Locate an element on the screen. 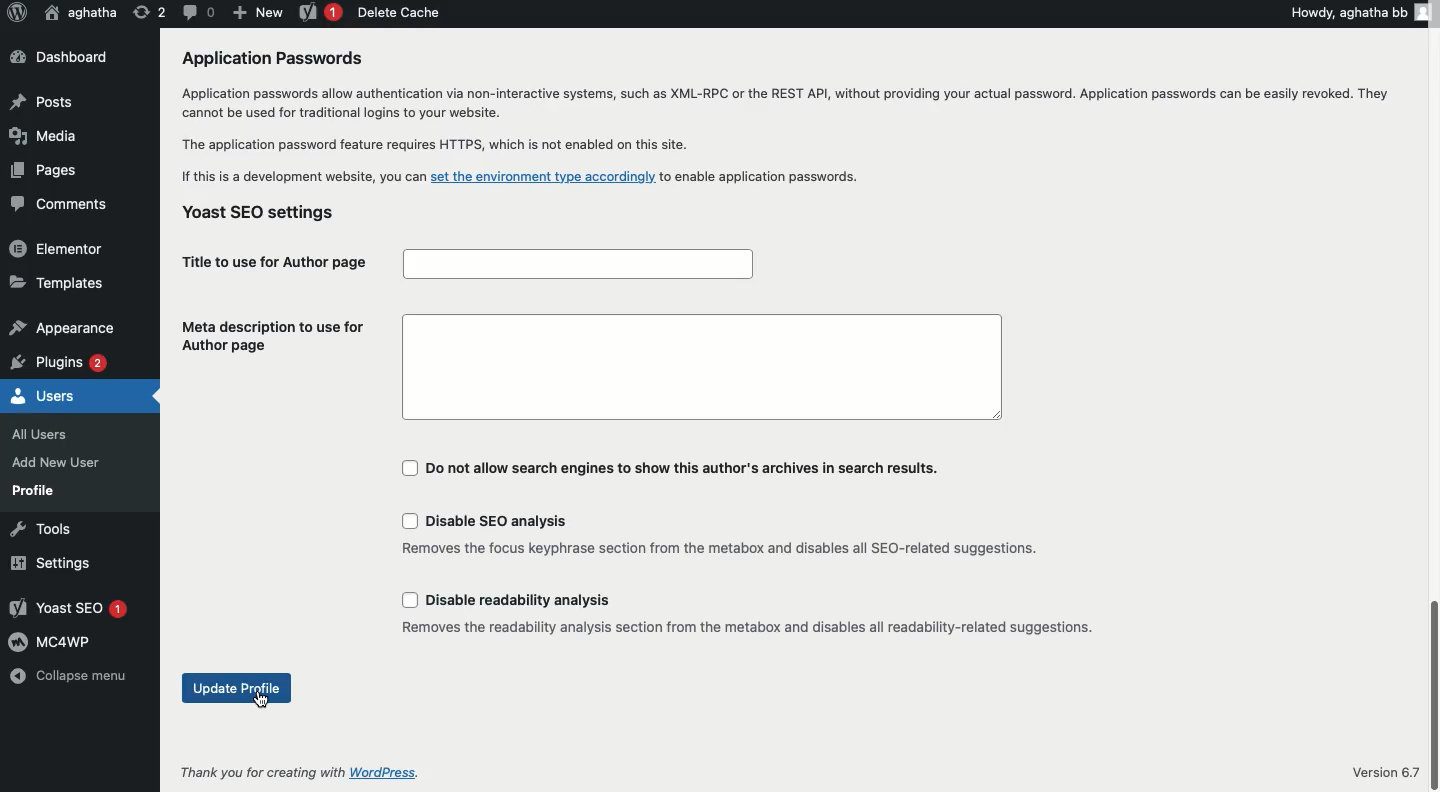  Thank you for creating with WordPress. is located at coordinates (306, 765).